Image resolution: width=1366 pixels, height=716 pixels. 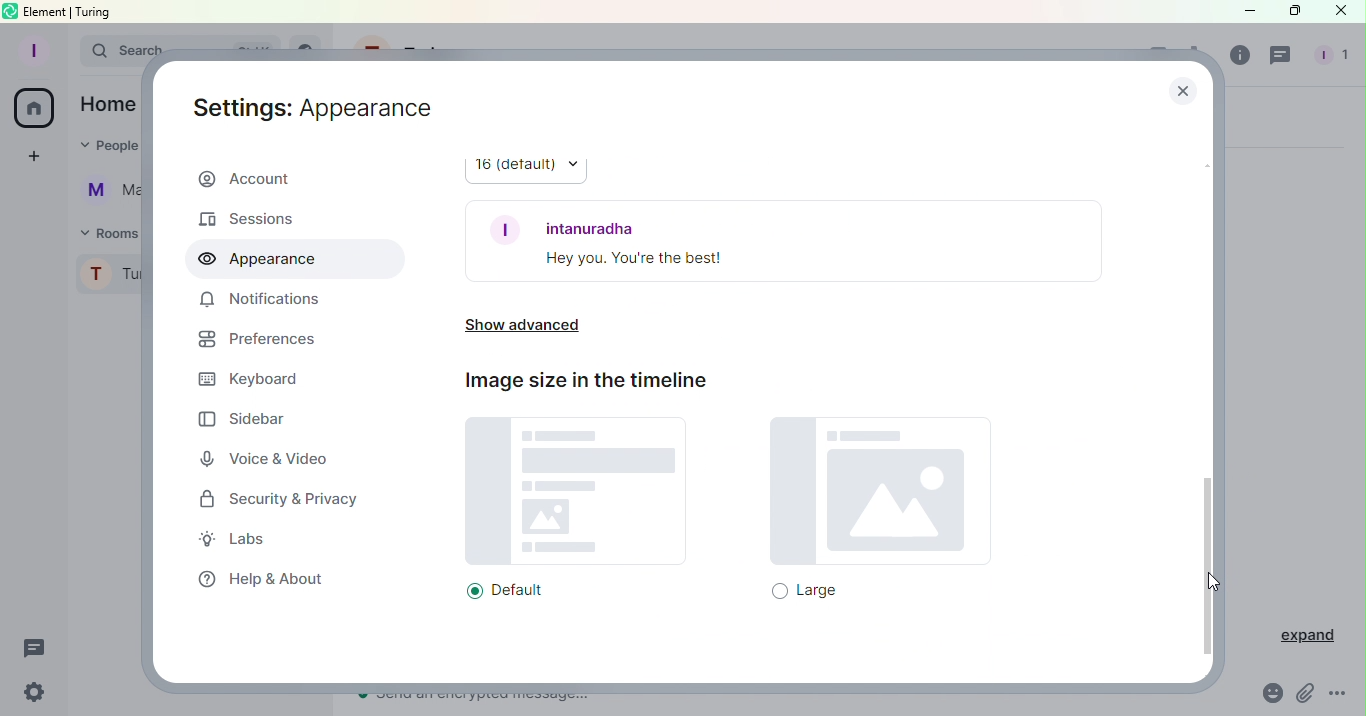 What do you see at coordinates (868, 515) in the screenshot?
I see `Large` at bounding box center [868, 515].